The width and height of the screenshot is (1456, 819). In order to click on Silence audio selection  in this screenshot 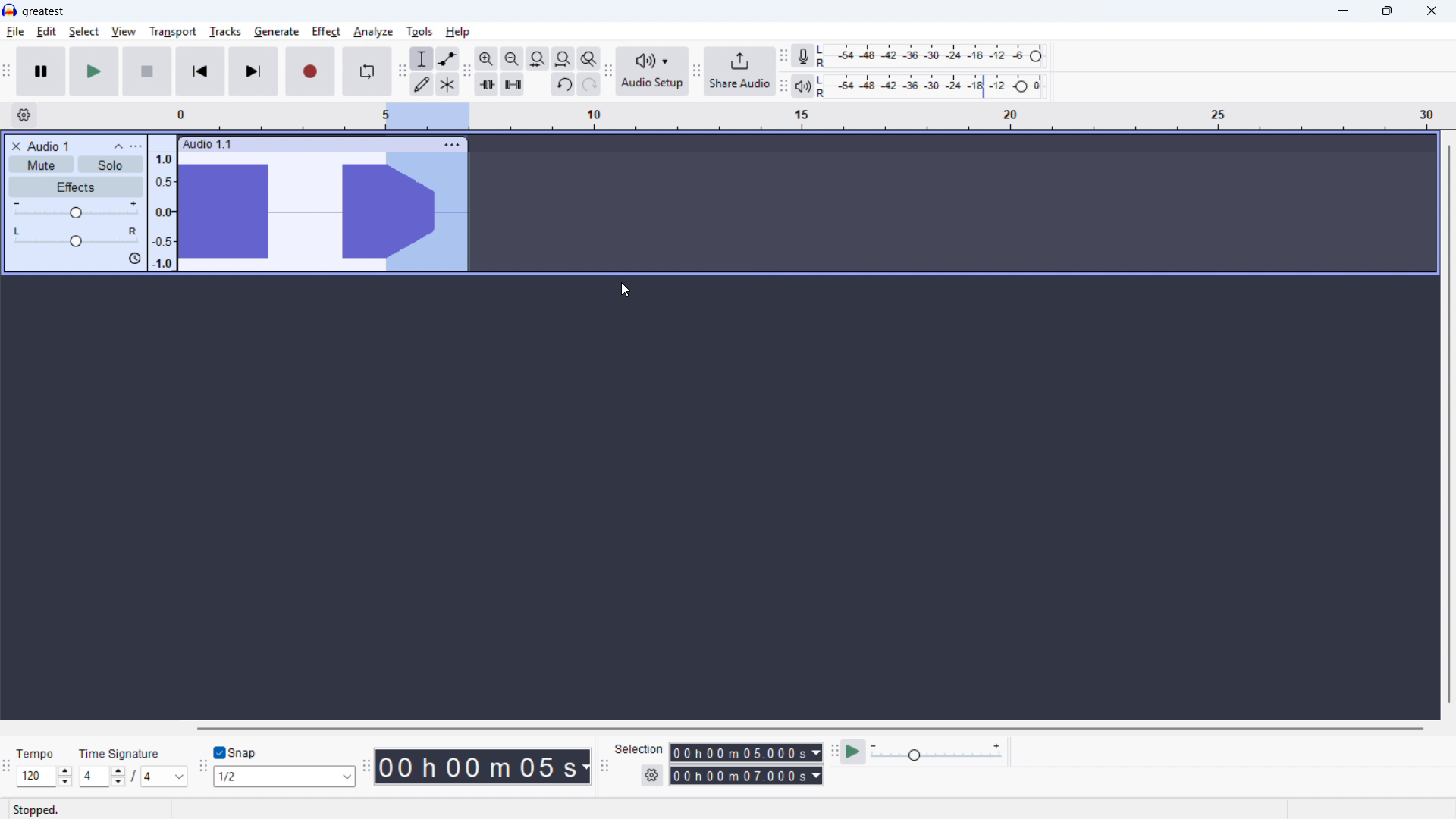, I will do `click(512, 84)`.